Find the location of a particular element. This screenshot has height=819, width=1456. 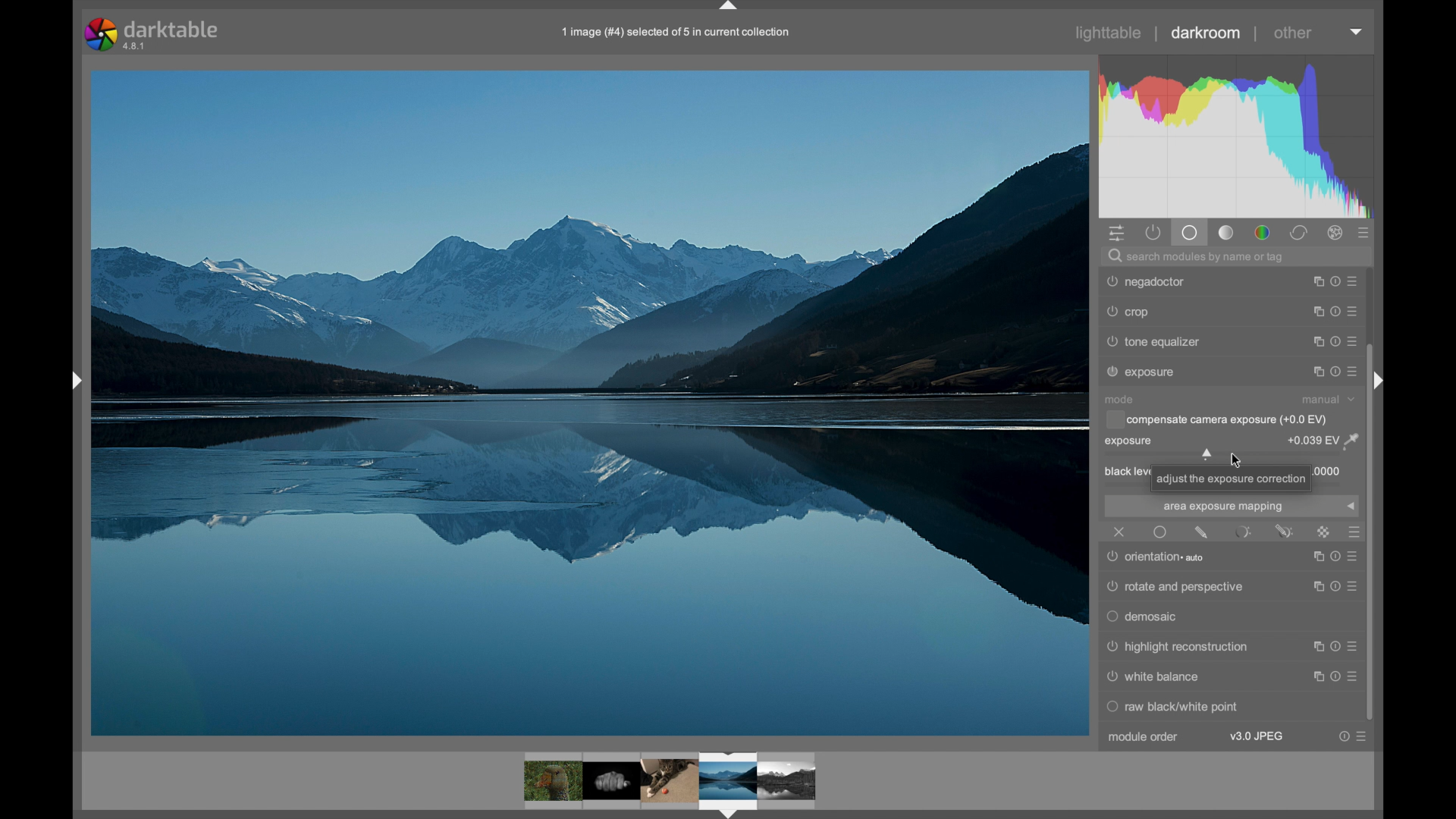

tone is located at coordinates (1227, 233).